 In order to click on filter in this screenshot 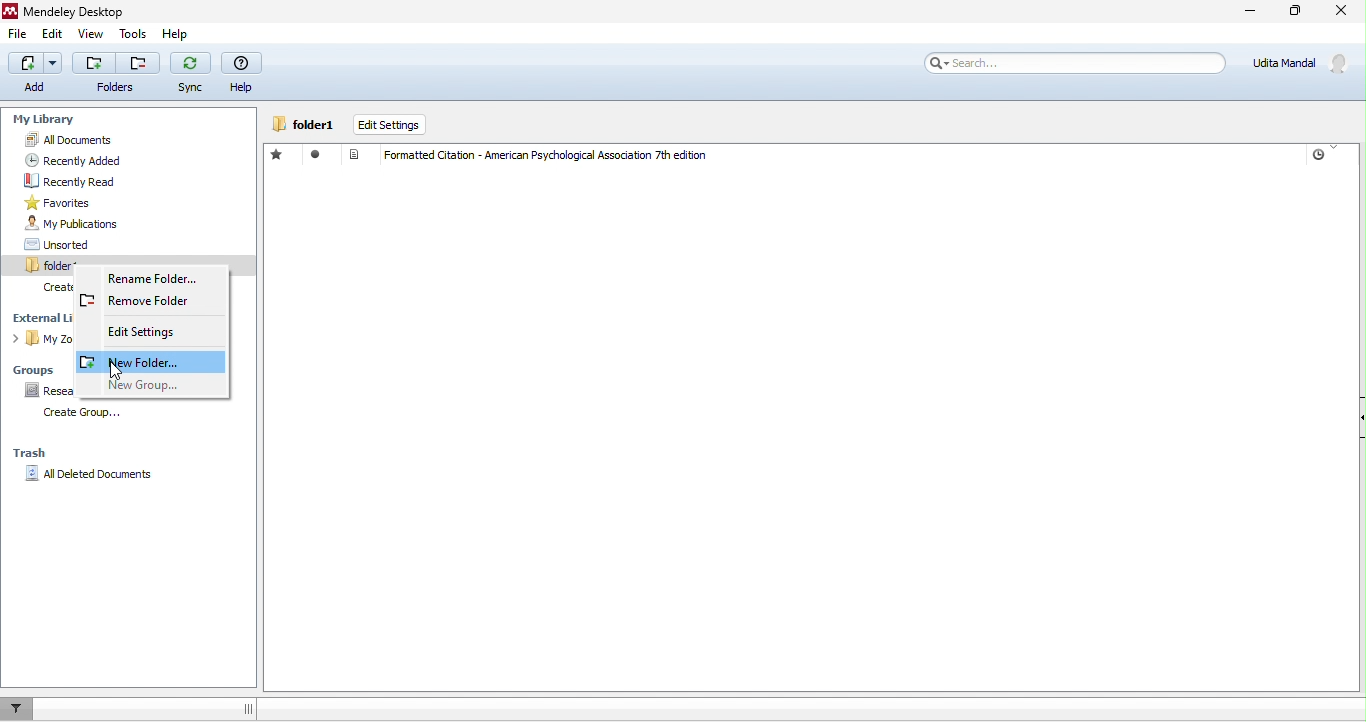, I will do `click(17, 709)`.